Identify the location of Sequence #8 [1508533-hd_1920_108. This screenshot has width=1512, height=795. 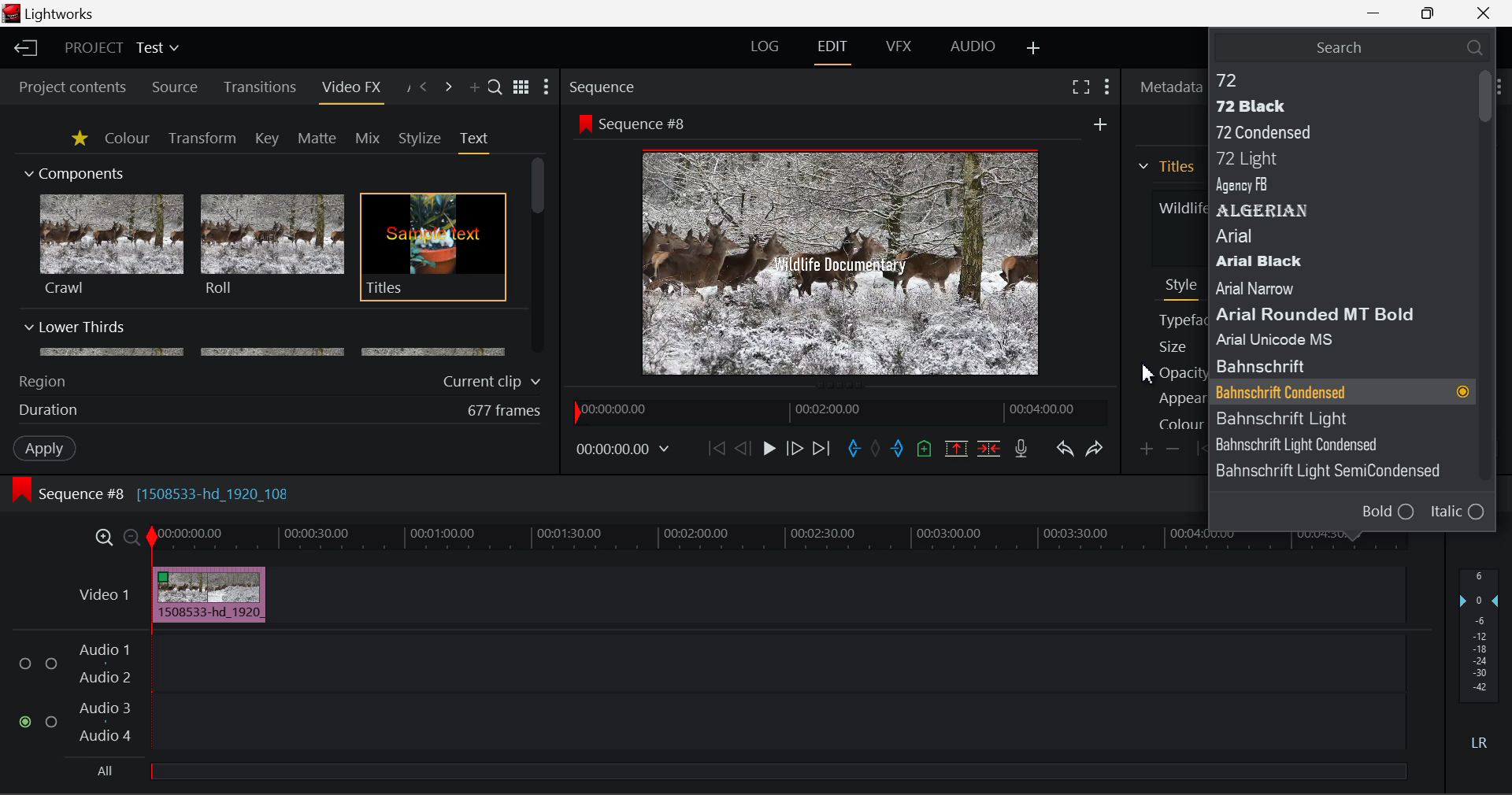
(167, 494).